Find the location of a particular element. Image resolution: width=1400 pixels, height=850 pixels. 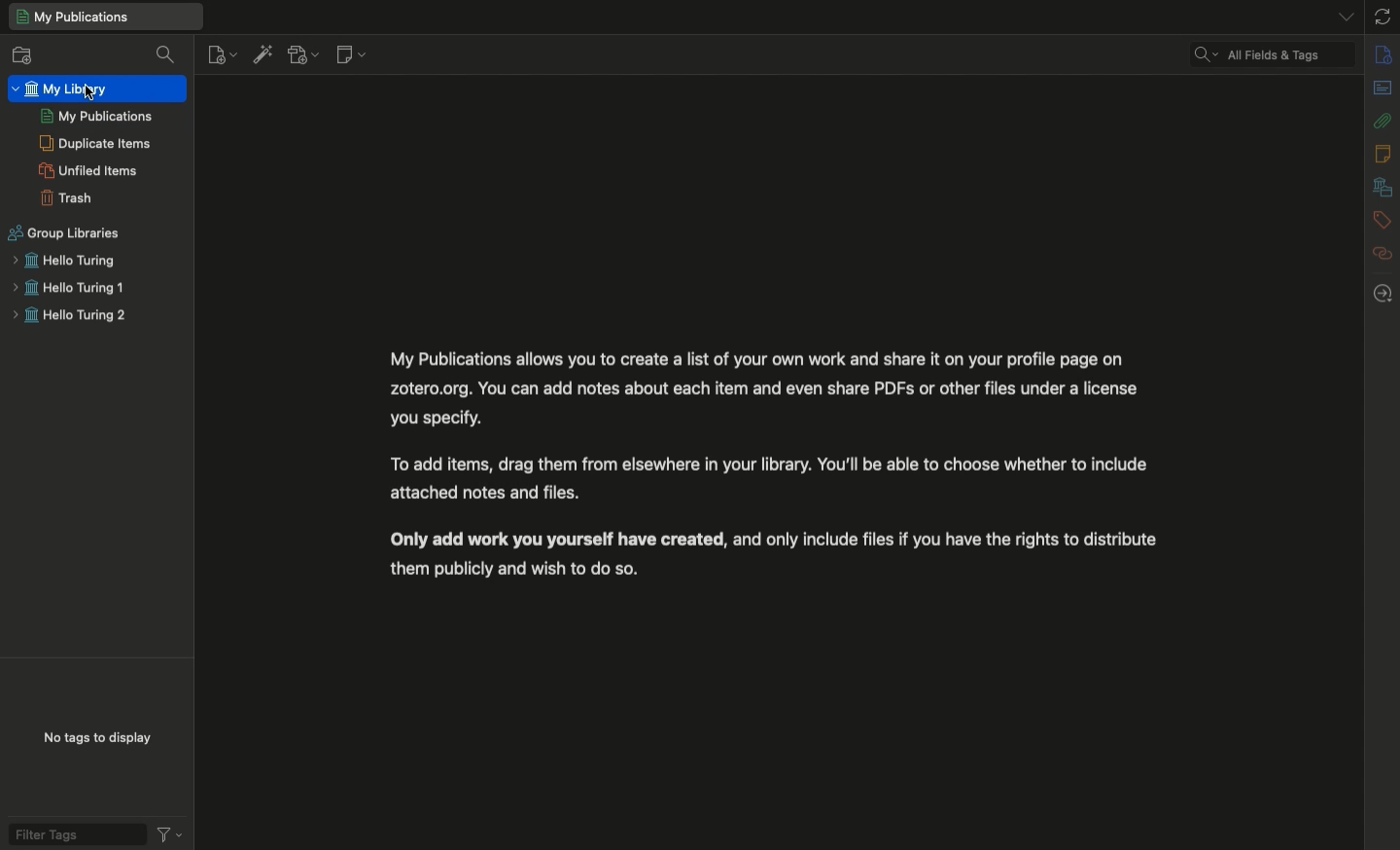

Sync is located at coordinates (1383, 17).